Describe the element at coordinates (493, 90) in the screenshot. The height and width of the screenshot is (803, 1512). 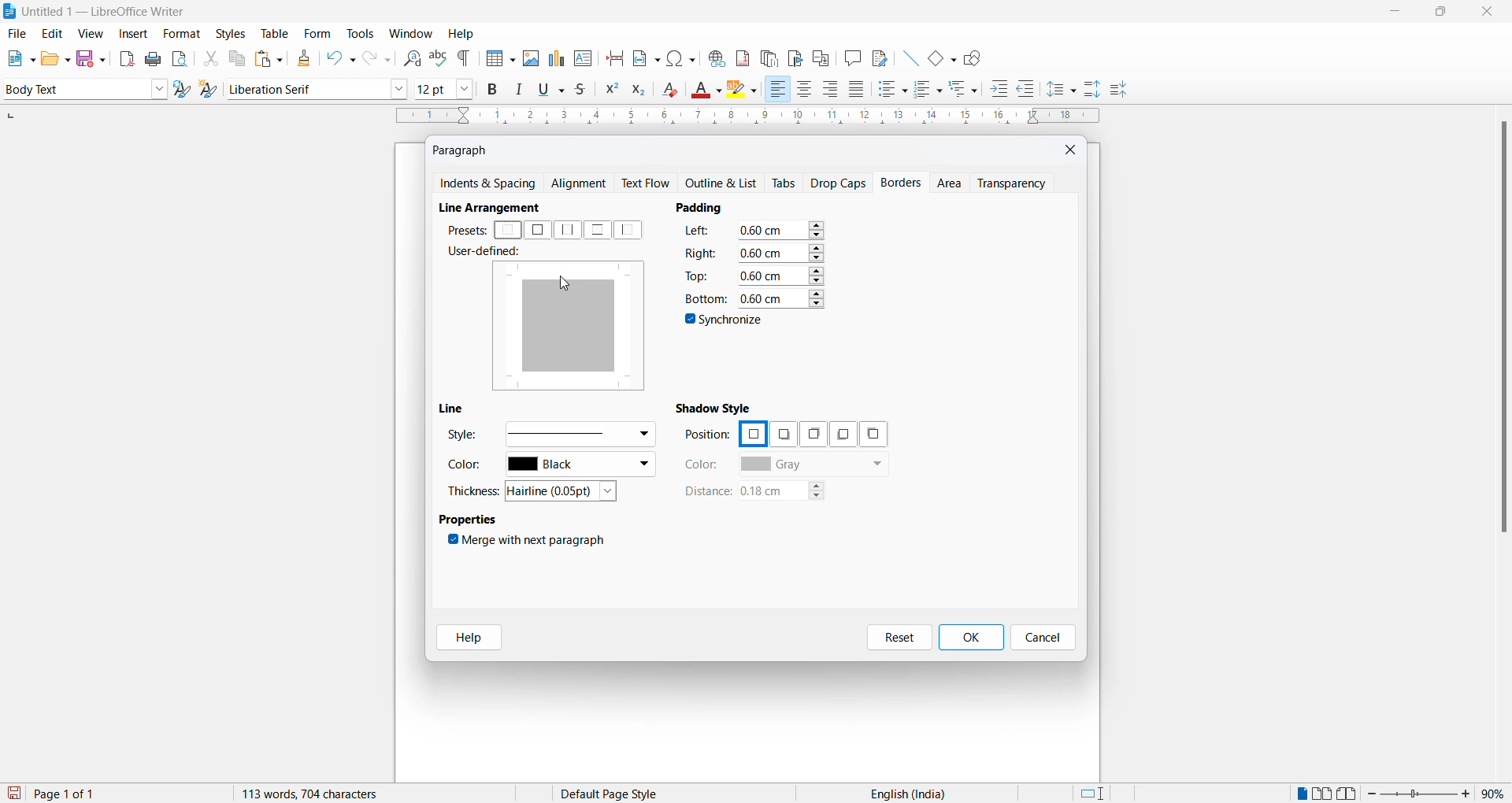
I see `bold` at that location.